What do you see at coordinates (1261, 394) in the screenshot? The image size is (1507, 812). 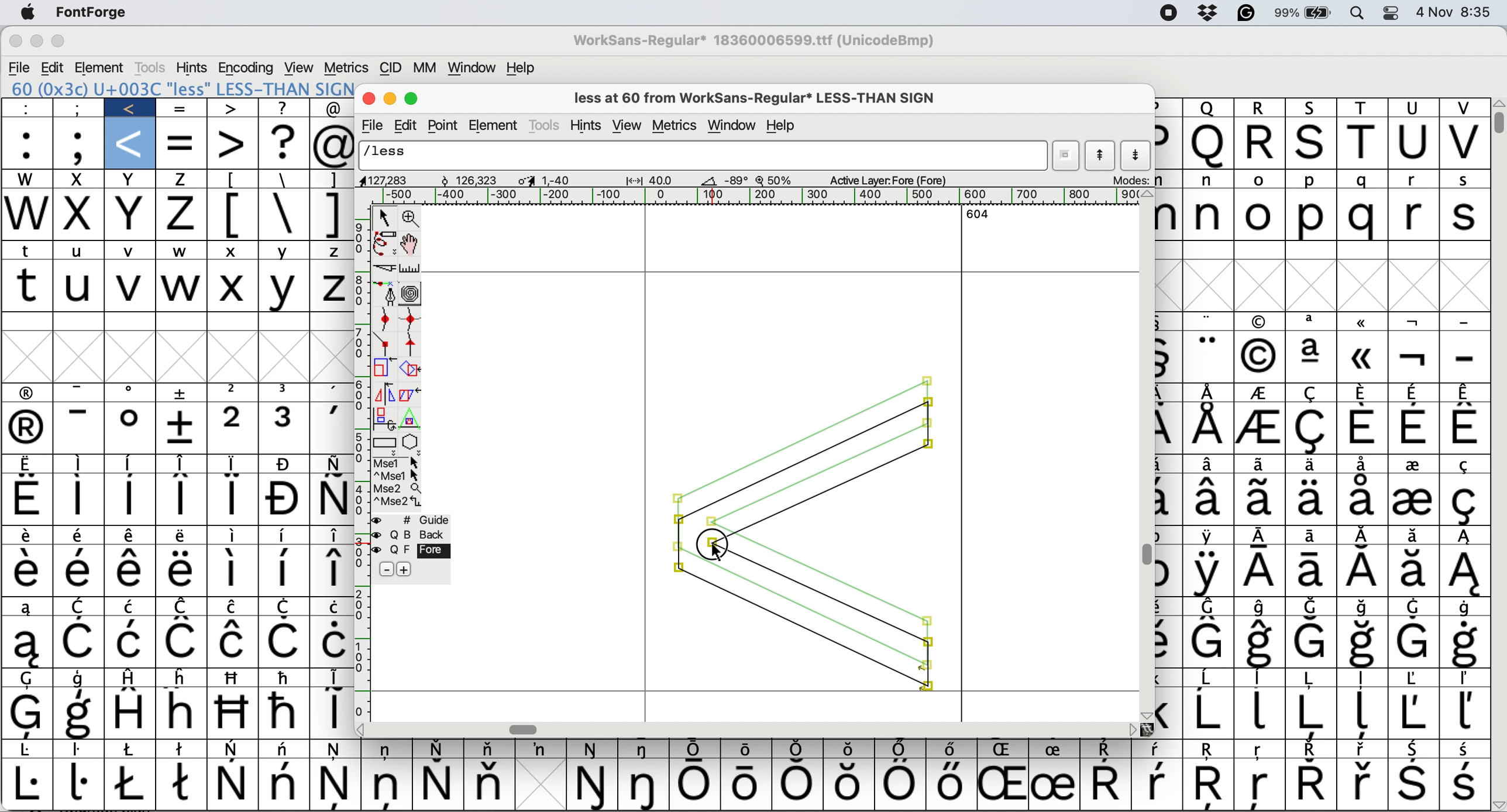 I see `Symbol` at bounding box center [1261, 394].